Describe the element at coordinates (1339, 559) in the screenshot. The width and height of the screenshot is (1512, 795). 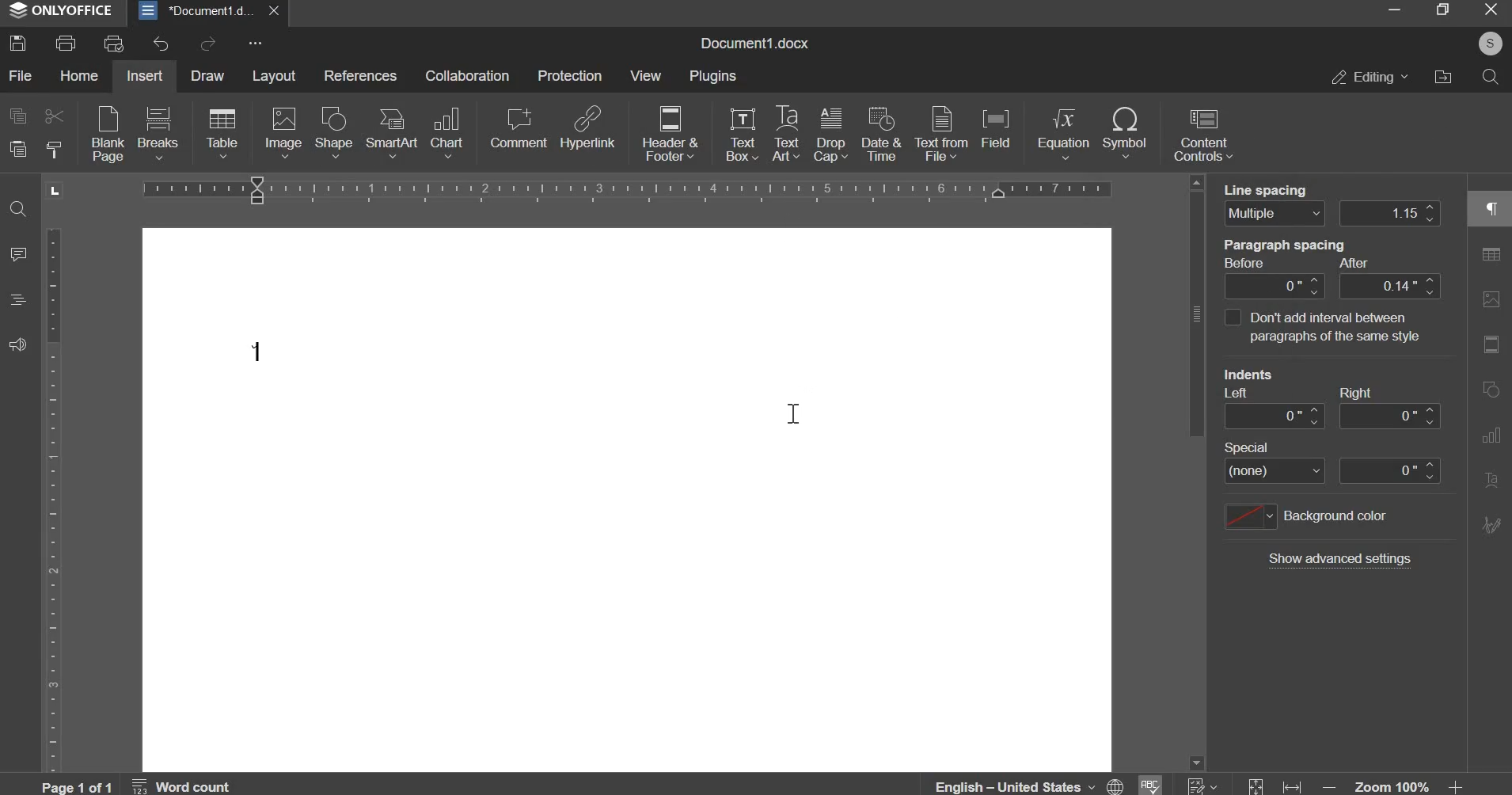
I see `show additional settings` at that location.